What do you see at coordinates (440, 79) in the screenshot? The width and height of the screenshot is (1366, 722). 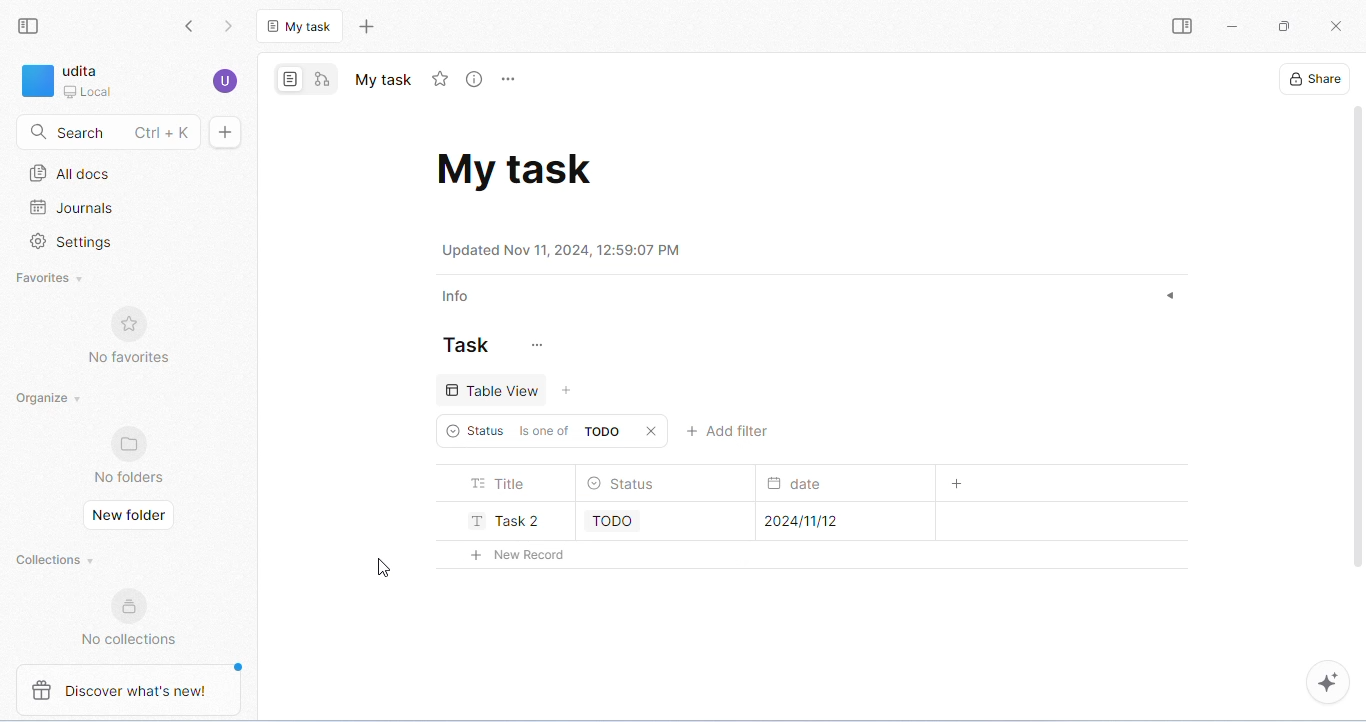 I see `add favorite` at bounding box center [440, 79].